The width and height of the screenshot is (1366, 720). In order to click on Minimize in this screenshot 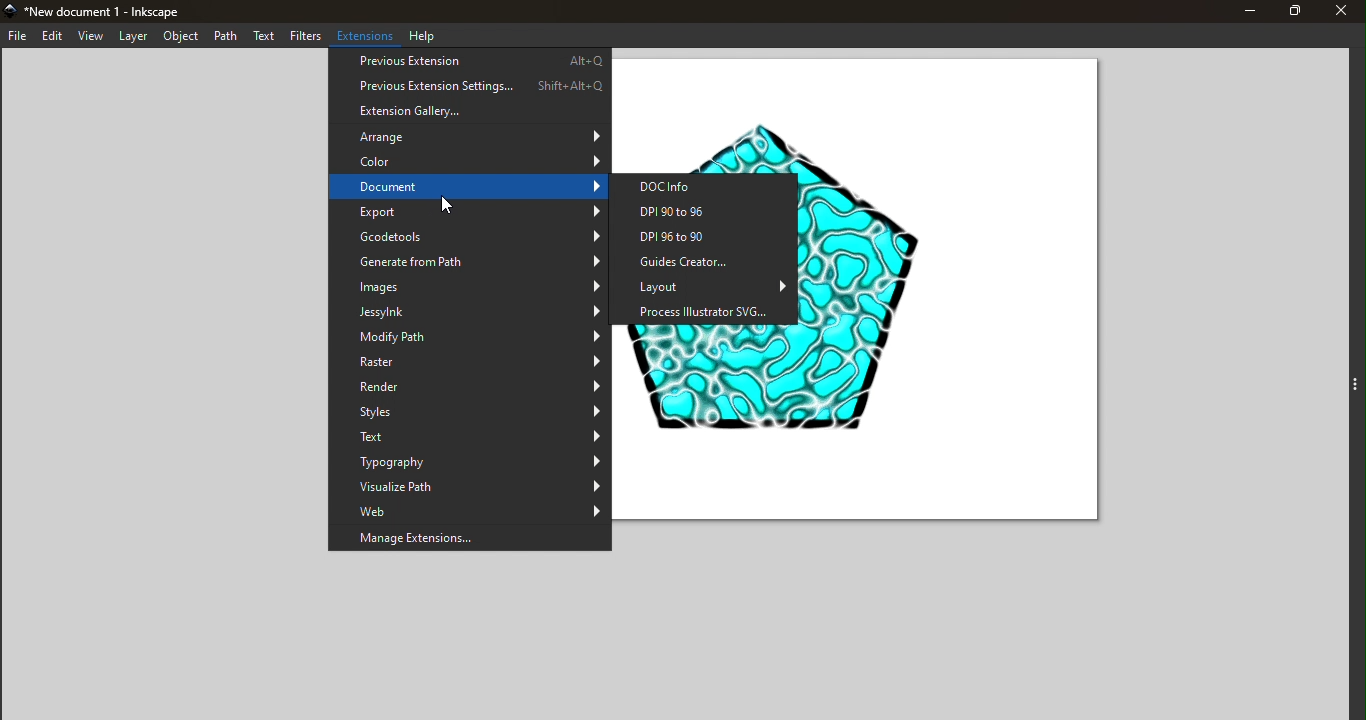, I will do `click(1240, 12)`.